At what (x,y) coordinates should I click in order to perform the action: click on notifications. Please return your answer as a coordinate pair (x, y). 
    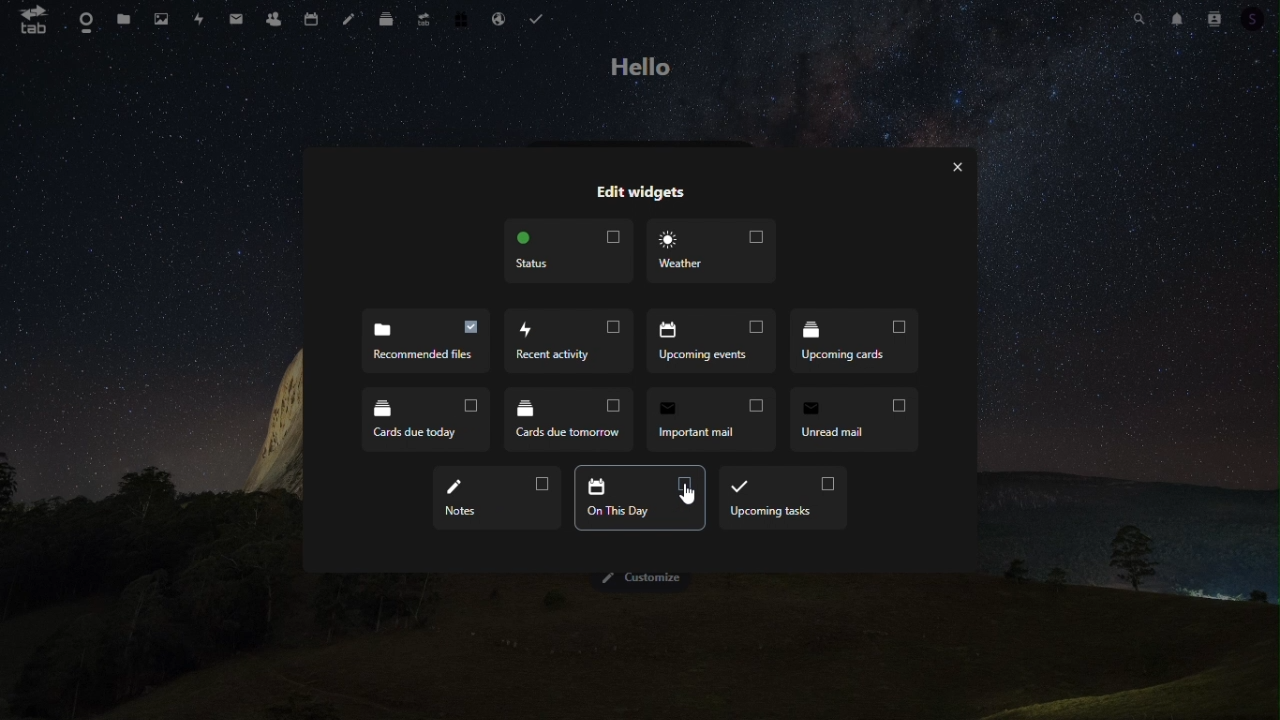
    Looking at the image, I should click on (1178, 20).